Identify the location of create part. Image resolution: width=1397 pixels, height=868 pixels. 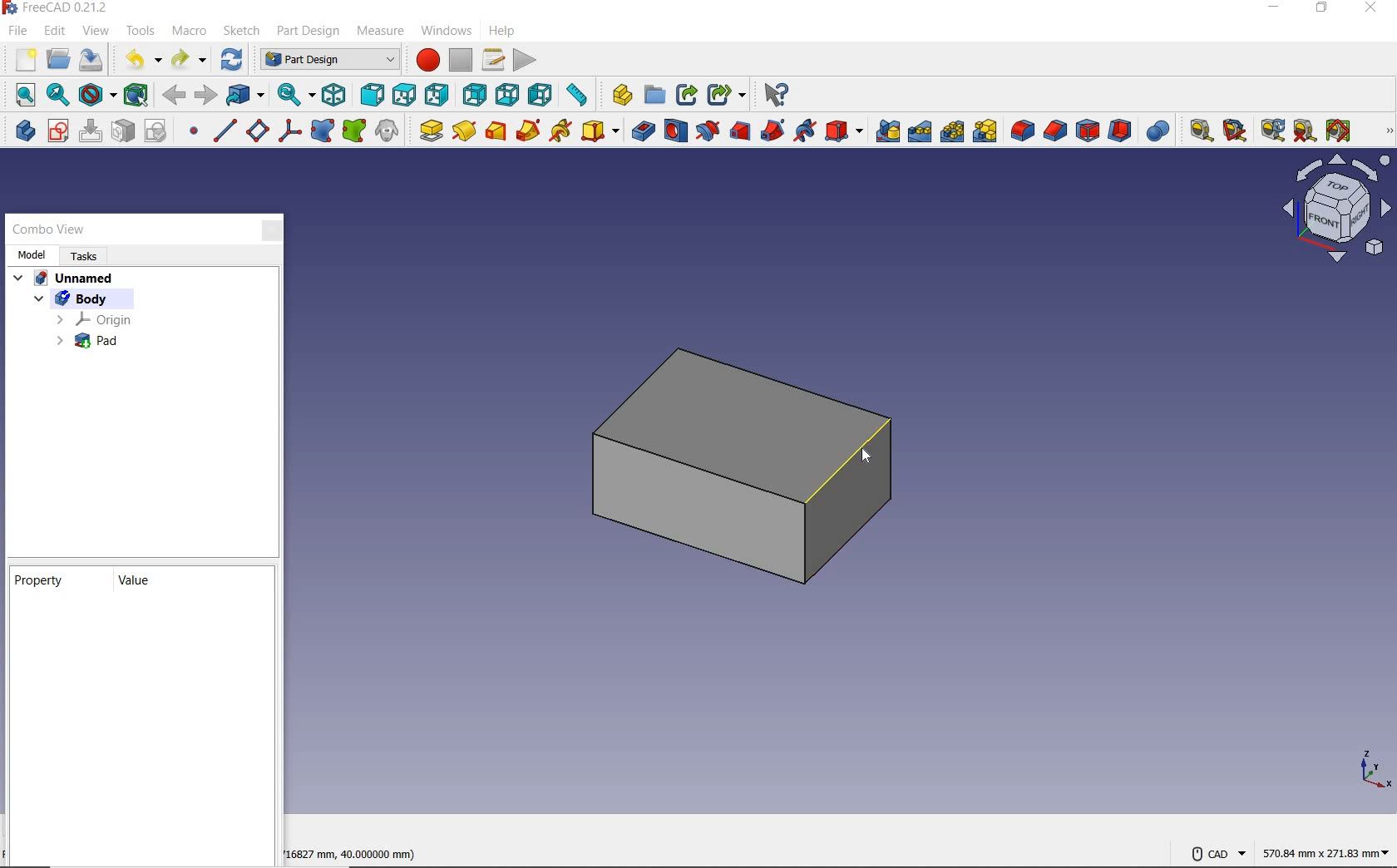
(620, 96).